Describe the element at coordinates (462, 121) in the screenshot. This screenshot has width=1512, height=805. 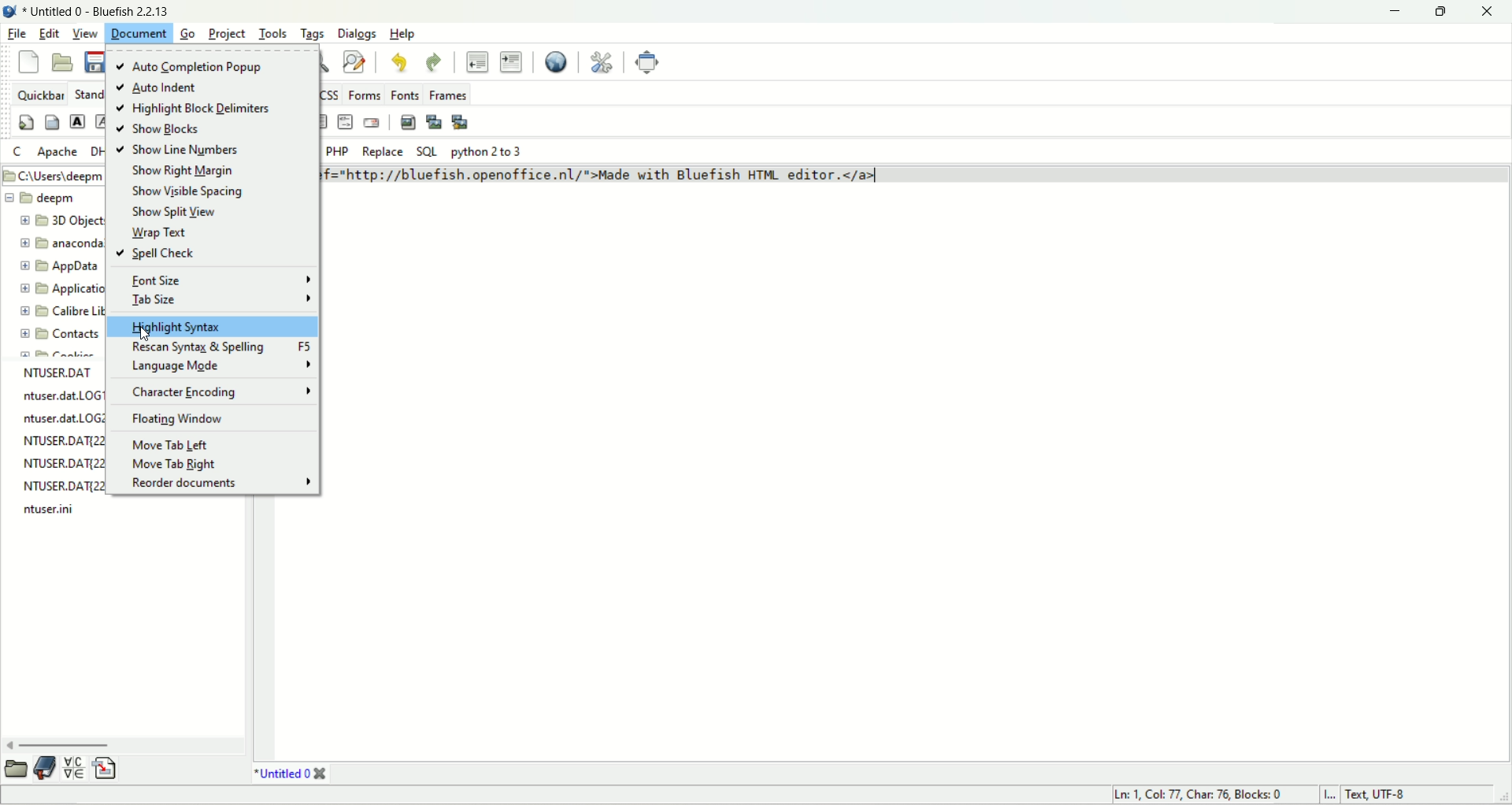
I see `MULTI THUMBNAIL` at that location.